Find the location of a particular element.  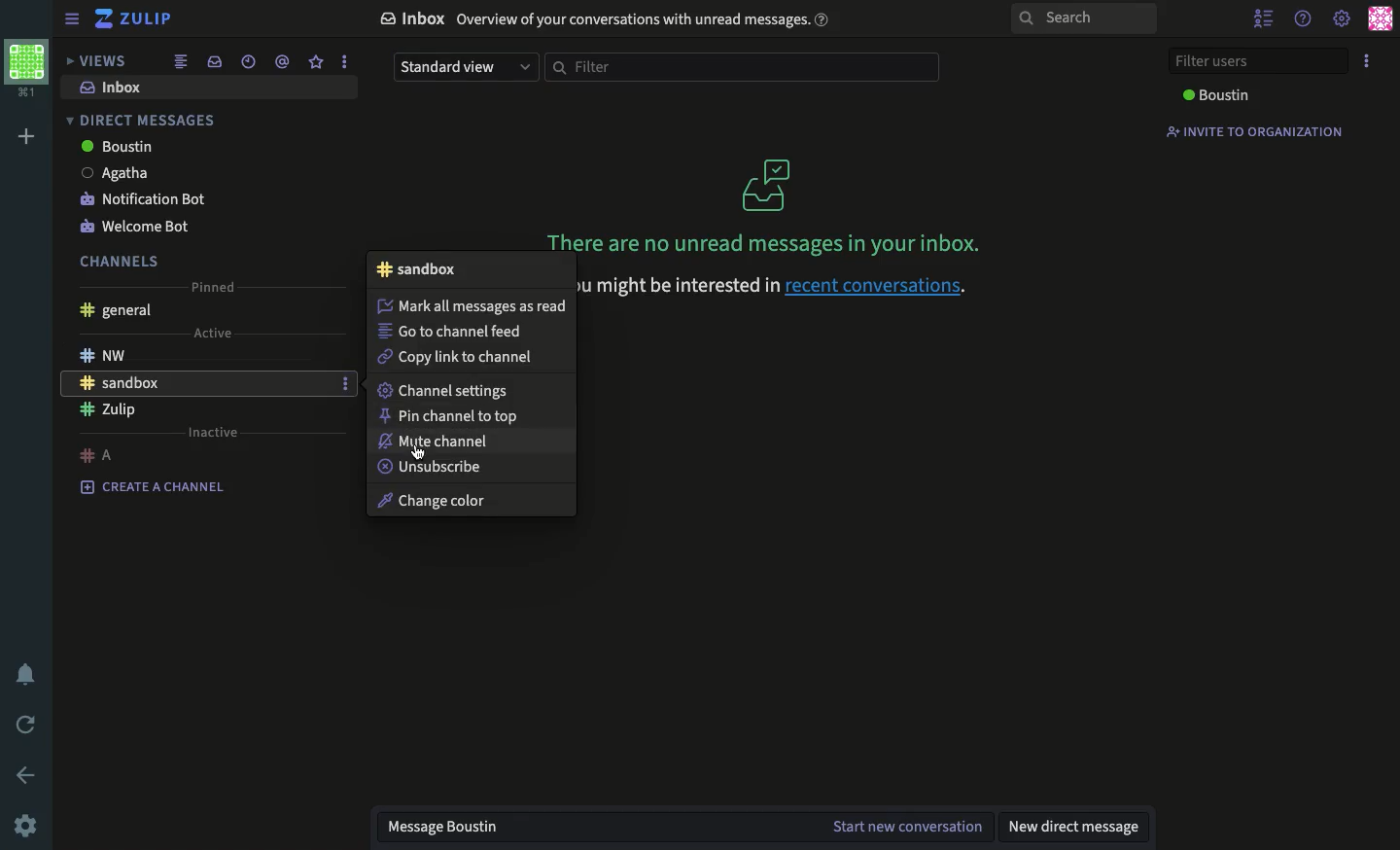

filter is located at coordinates (742, 69).